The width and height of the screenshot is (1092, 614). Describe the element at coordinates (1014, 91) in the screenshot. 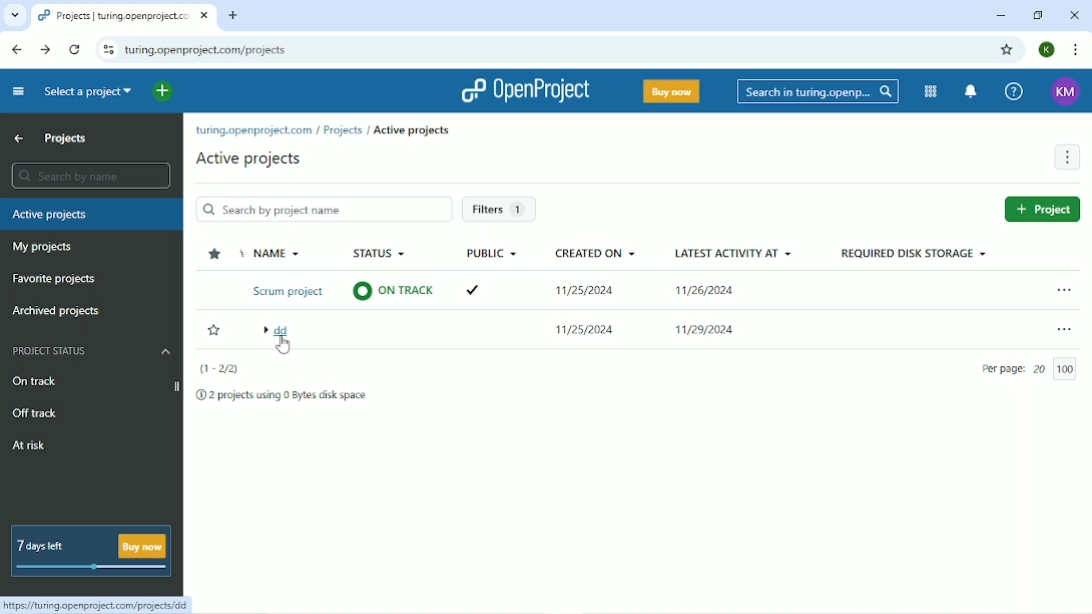

I see `Help` at that location.